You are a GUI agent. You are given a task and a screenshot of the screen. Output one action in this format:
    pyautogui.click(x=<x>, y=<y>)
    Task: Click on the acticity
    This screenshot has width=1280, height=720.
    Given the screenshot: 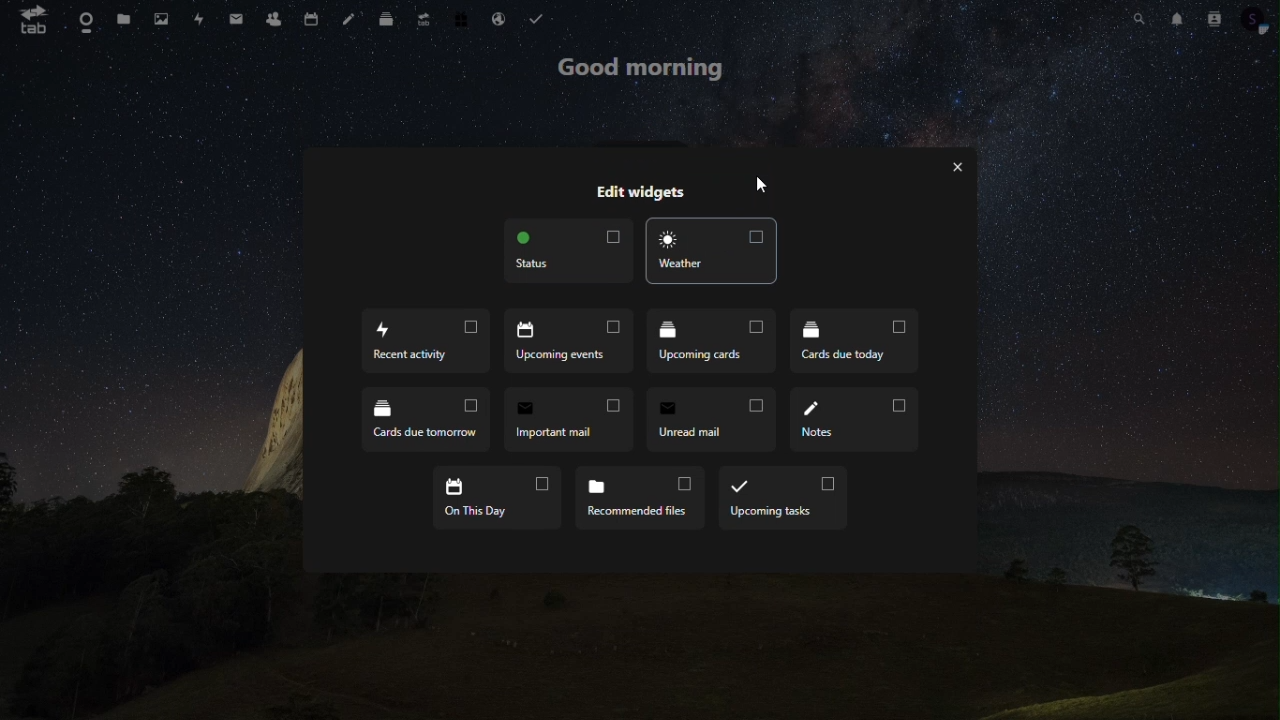 What is the action you would take?
    pyautogui.click(x=201, y=21)
    